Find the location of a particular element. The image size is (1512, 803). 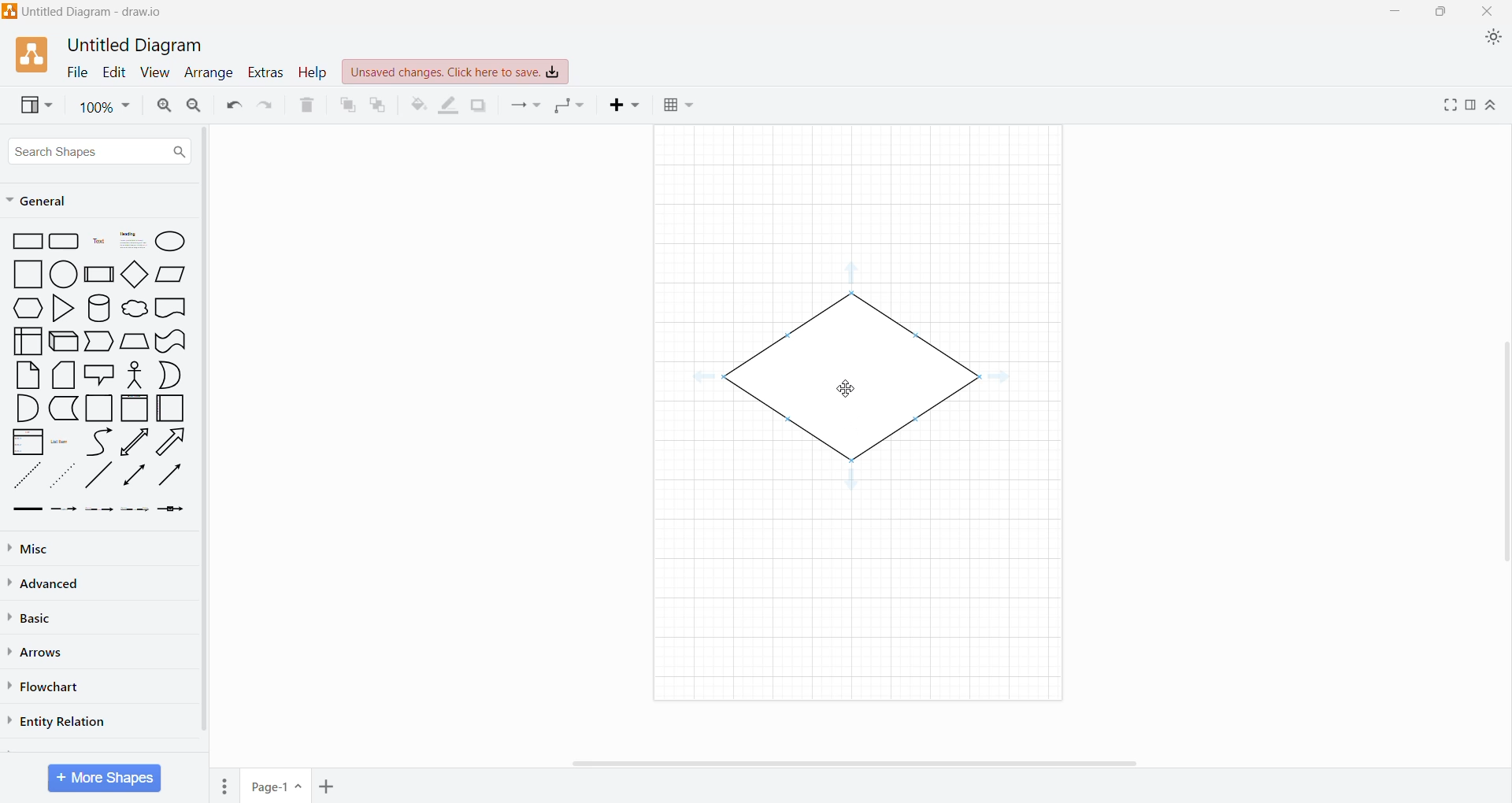

Shadow is located at coordinates (480, 105).